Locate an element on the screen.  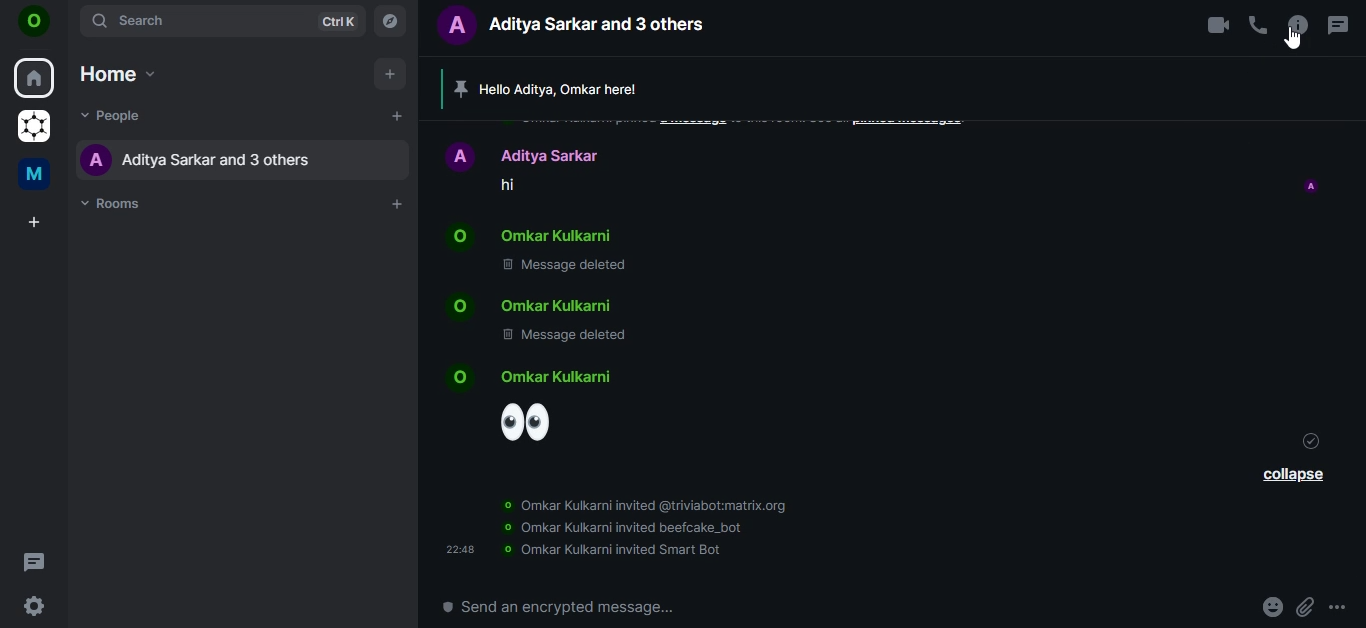
aditya sarkar and 3 others is located at coordinates (581, 26).